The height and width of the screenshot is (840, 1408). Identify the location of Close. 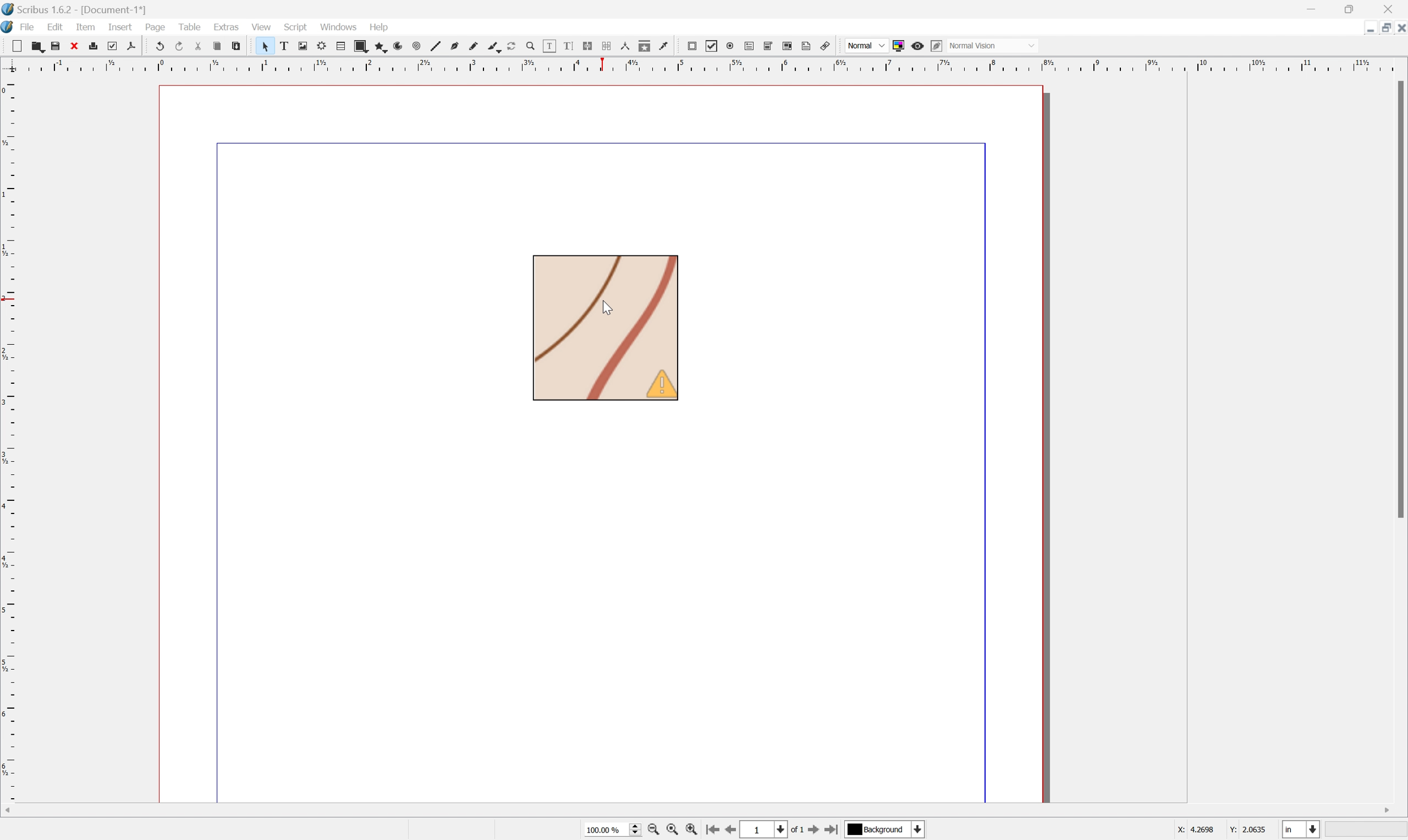
(1392, 10).